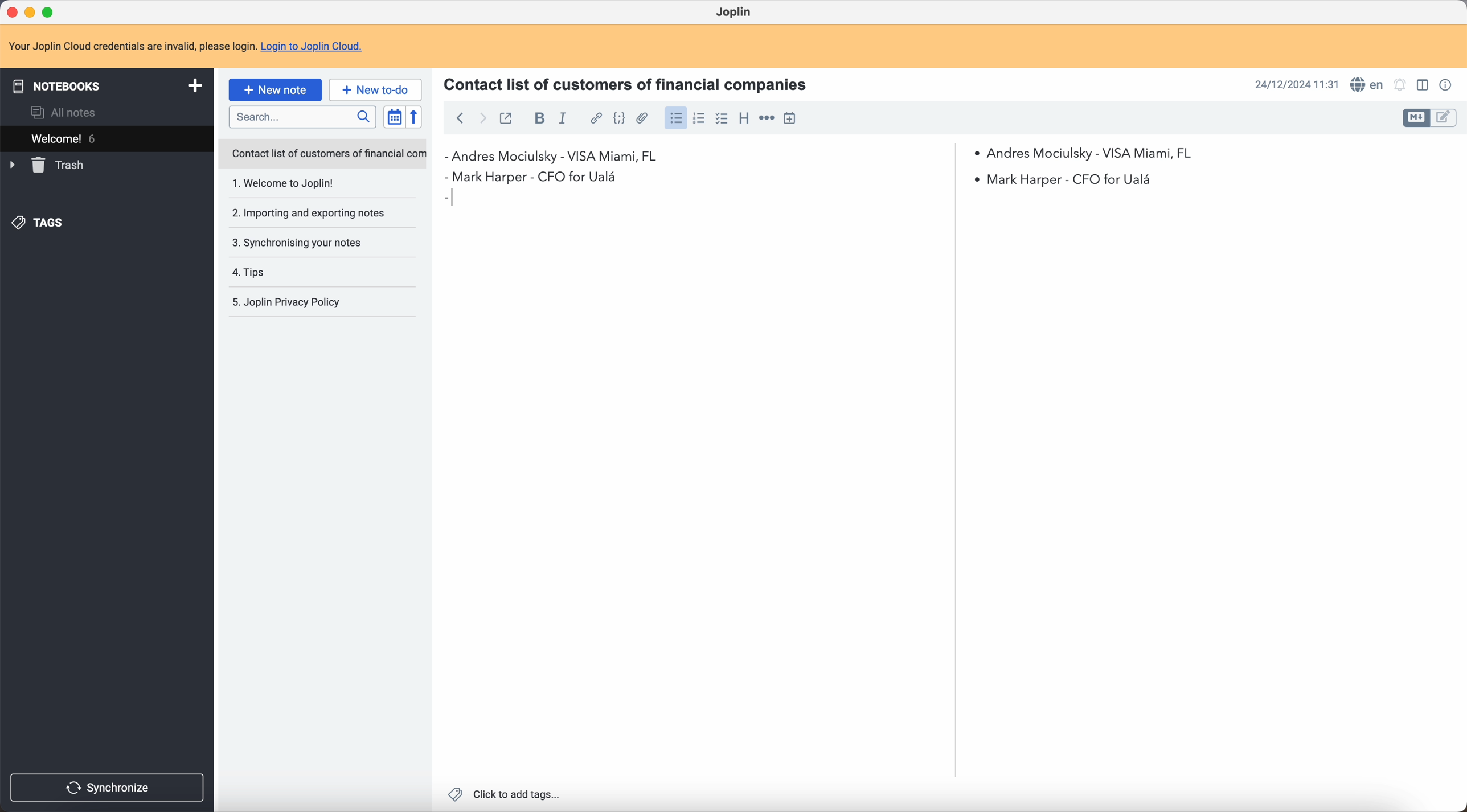  I want to click on note properties, so click(1448, 85).